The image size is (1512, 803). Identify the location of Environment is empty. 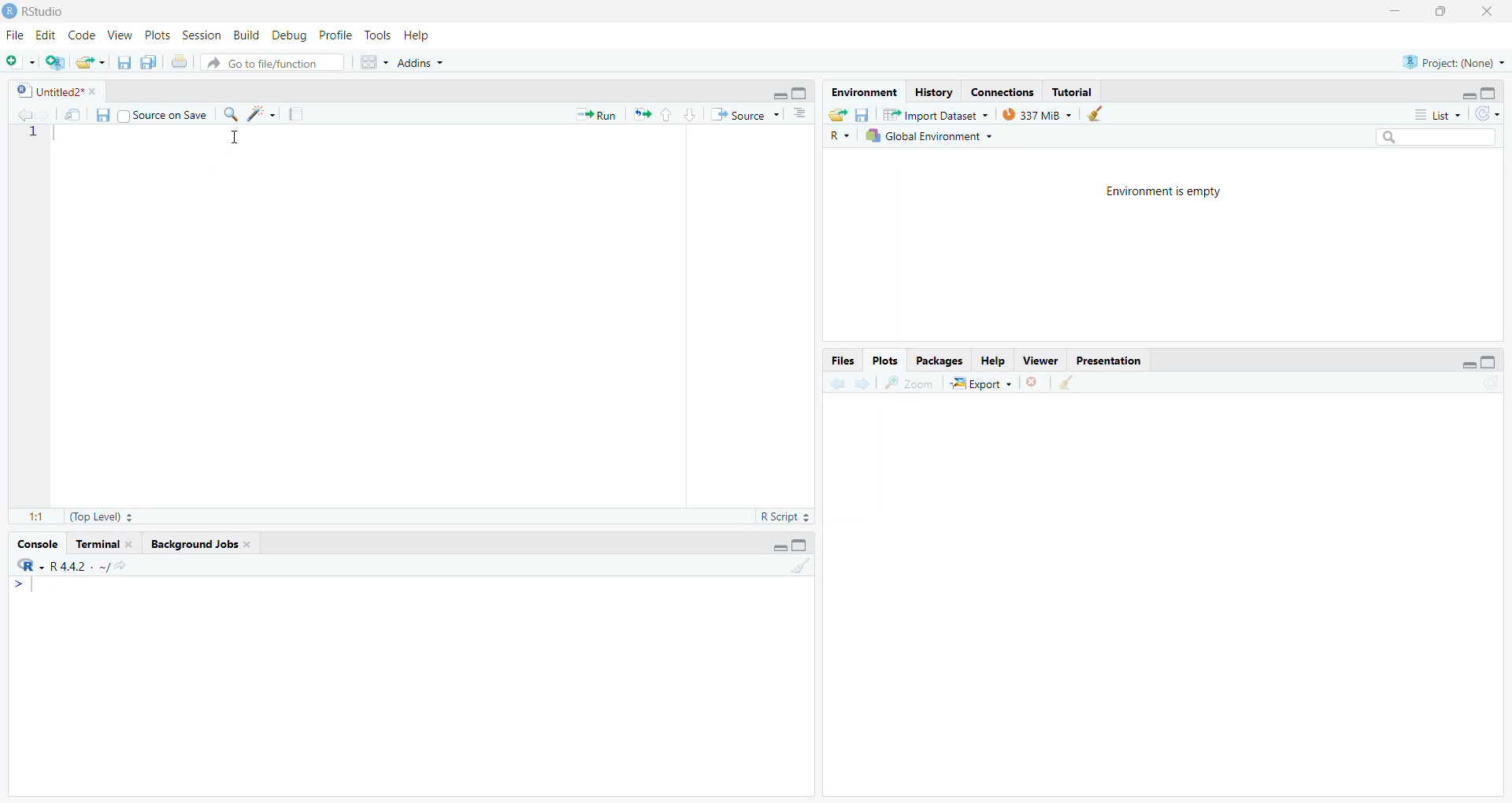
(1166, 194).